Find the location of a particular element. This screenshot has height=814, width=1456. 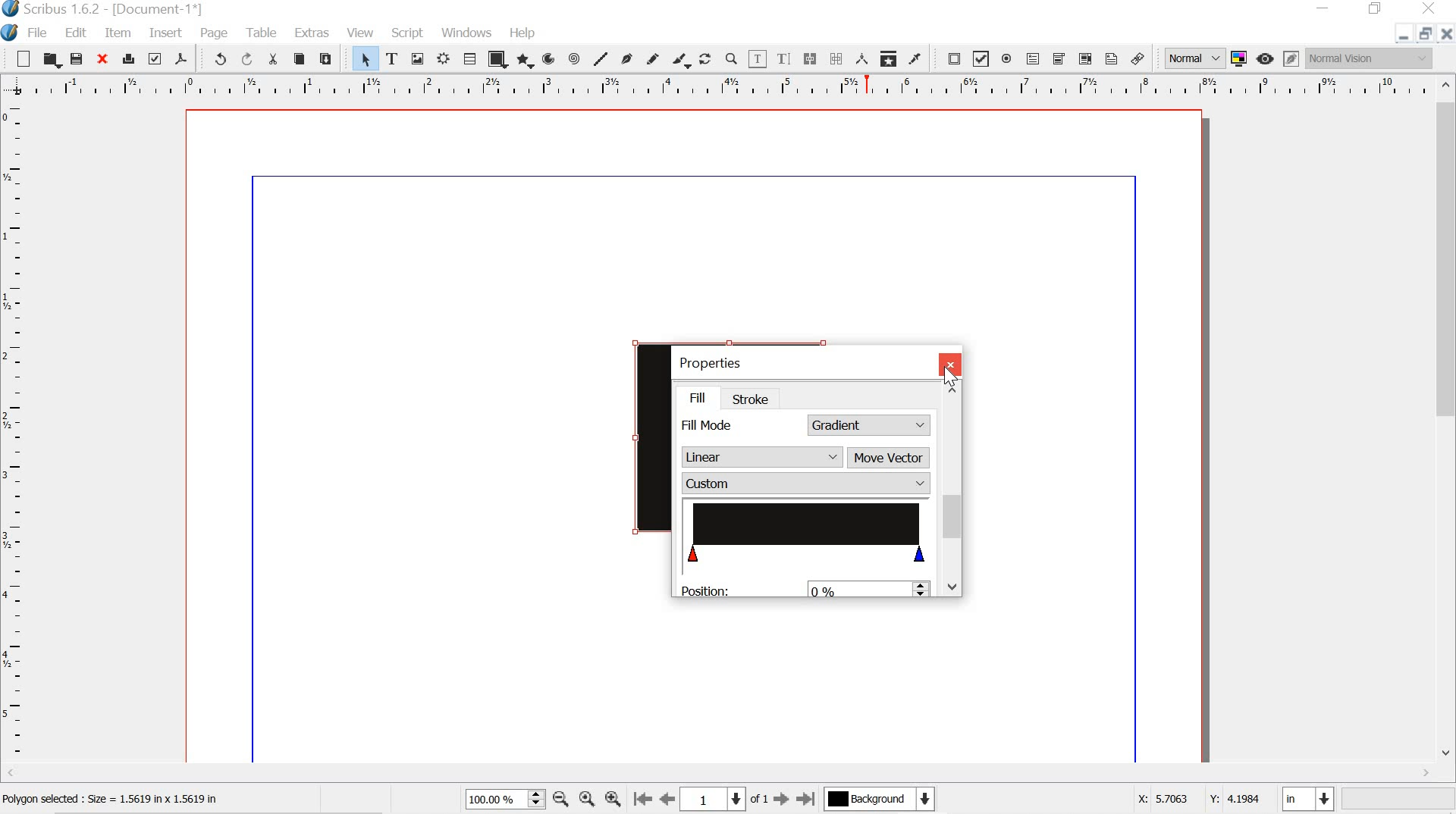

fill is located at coordinates (704, 396).